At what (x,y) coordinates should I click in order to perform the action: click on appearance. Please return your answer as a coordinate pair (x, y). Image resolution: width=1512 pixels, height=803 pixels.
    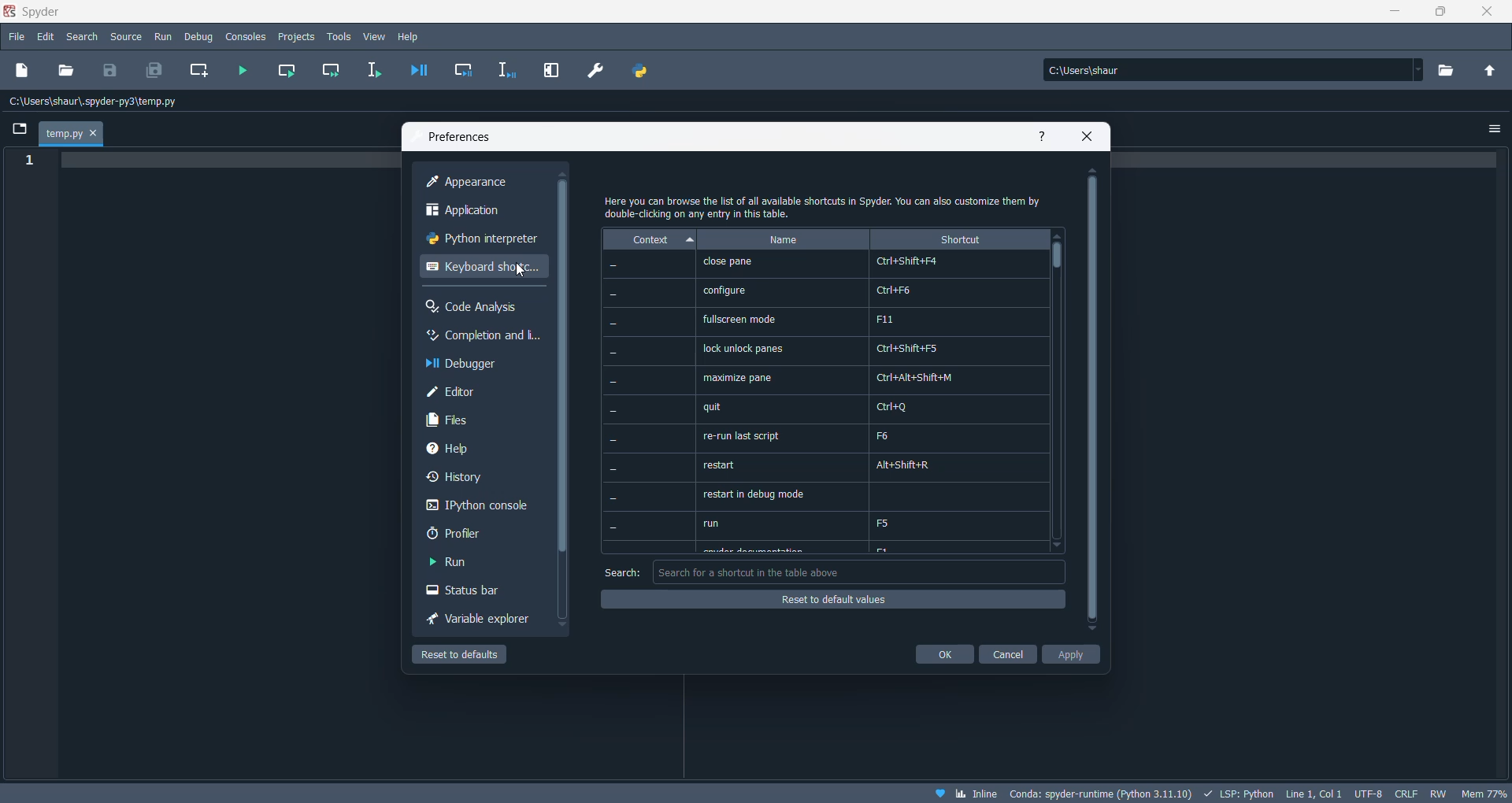
    Looking at the image, I should click on (480, 183).